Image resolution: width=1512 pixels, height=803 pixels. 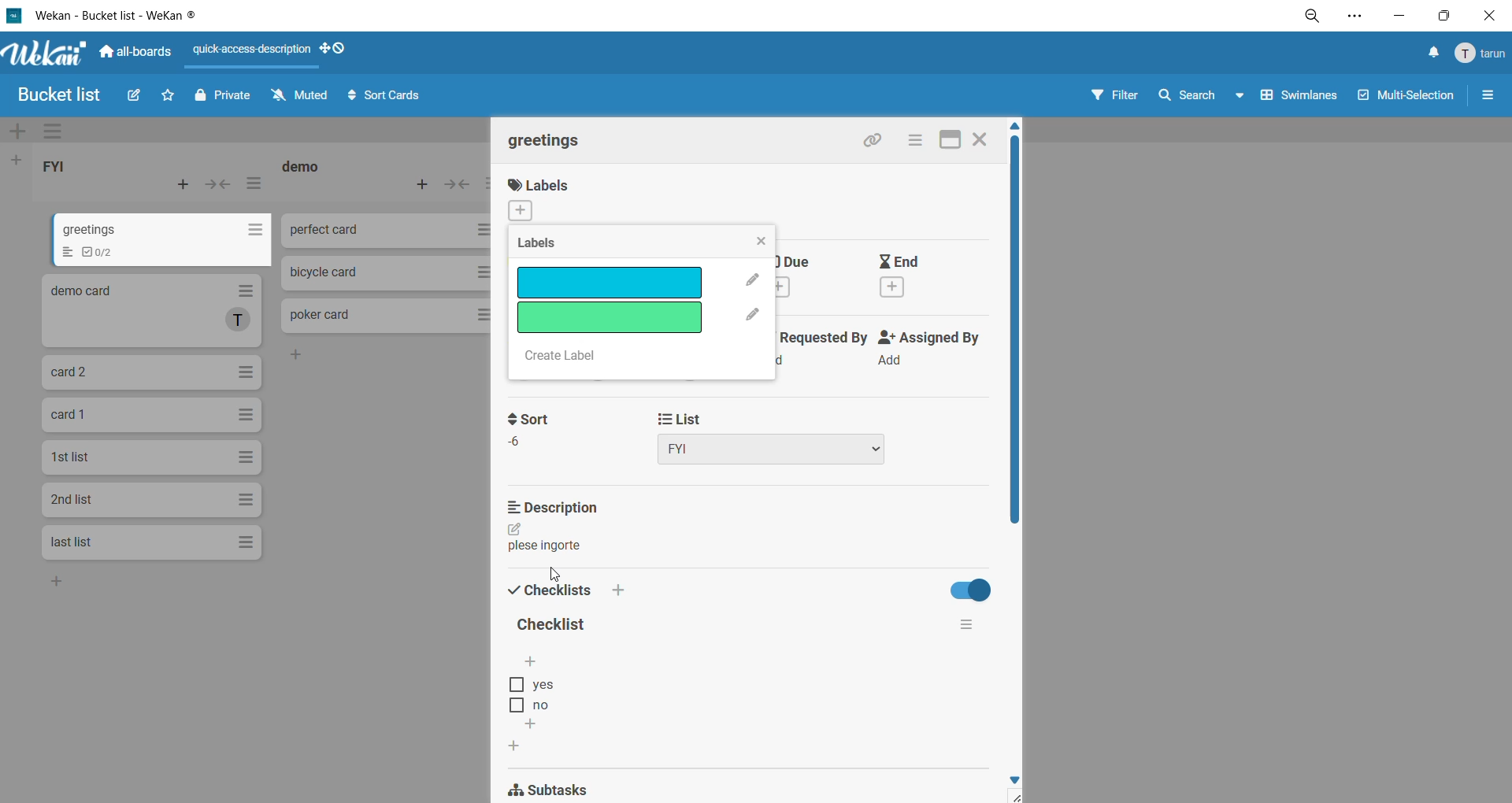 I want to click on notifications, so click(x=1434, y=52).